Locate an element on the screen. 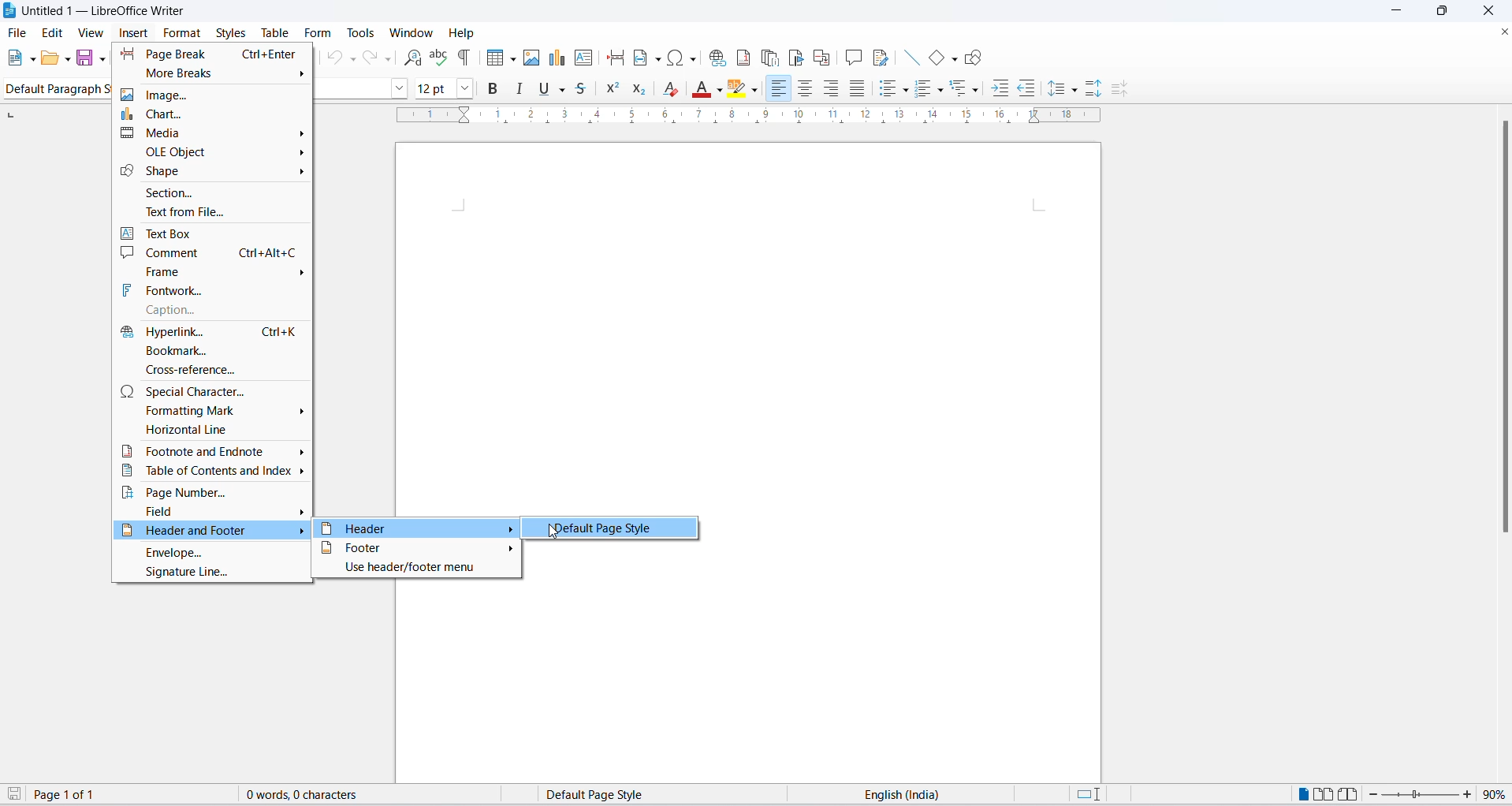 The width and height of the screenshot is (1512, 806). horizontal line is located at coordinates (210, 431).